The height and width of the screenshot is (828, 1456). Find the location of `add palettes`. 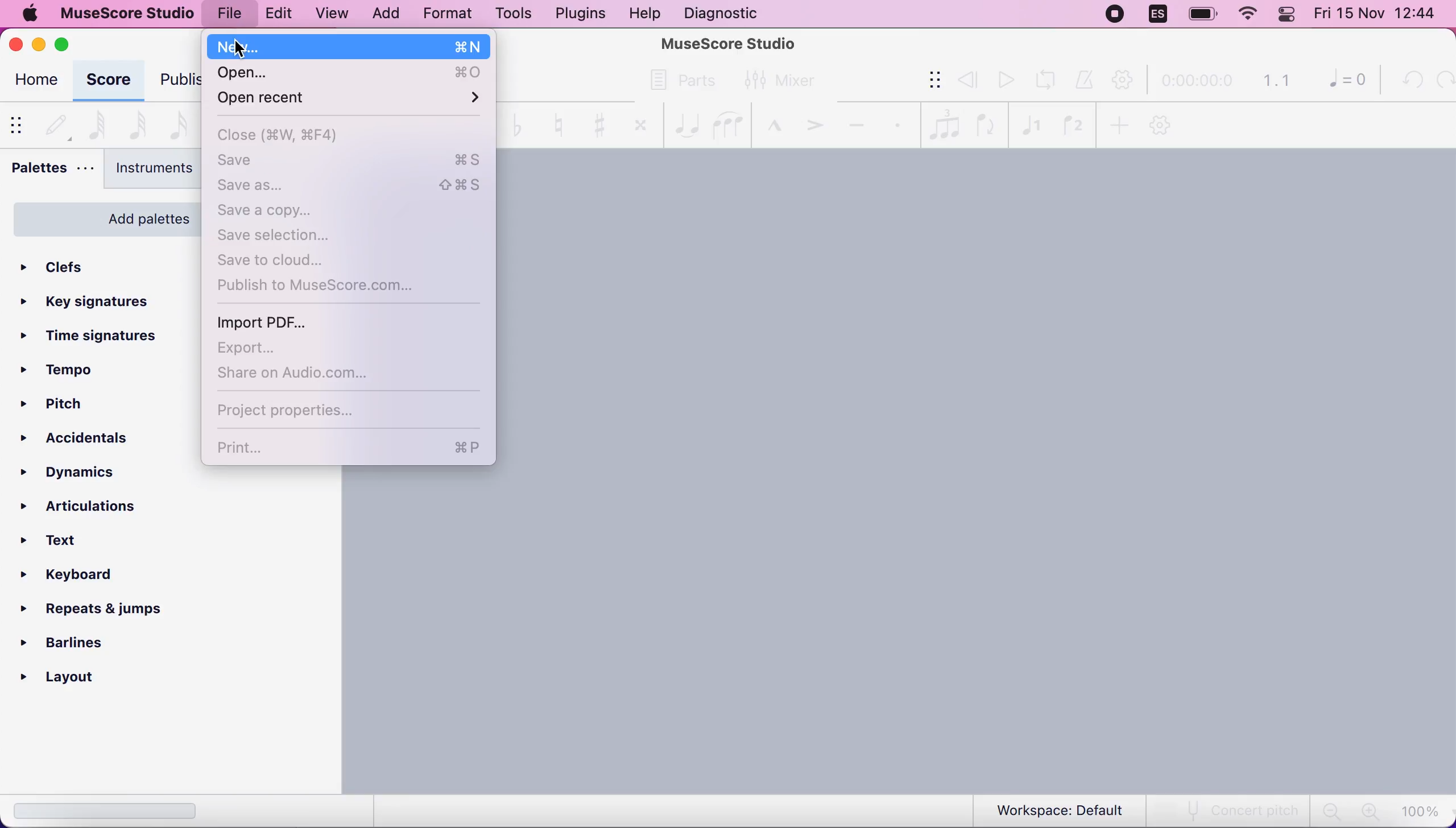

add palettes is located at coordinates (99, 215).